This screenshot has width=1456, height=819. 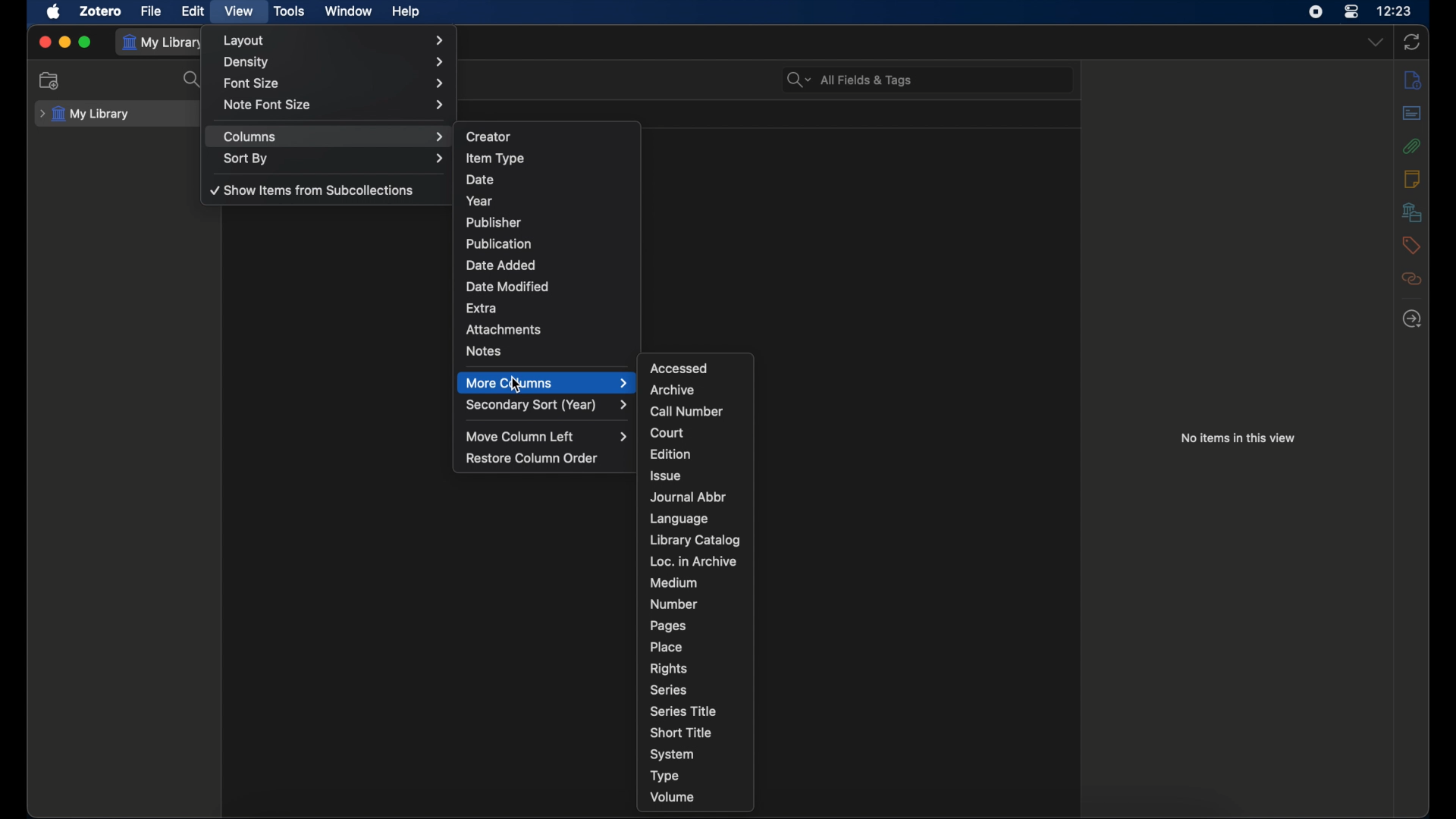 What do you see at coordinates (1414, 80) in the screenshot?
I see `info` at bounding box center [1414, 80].